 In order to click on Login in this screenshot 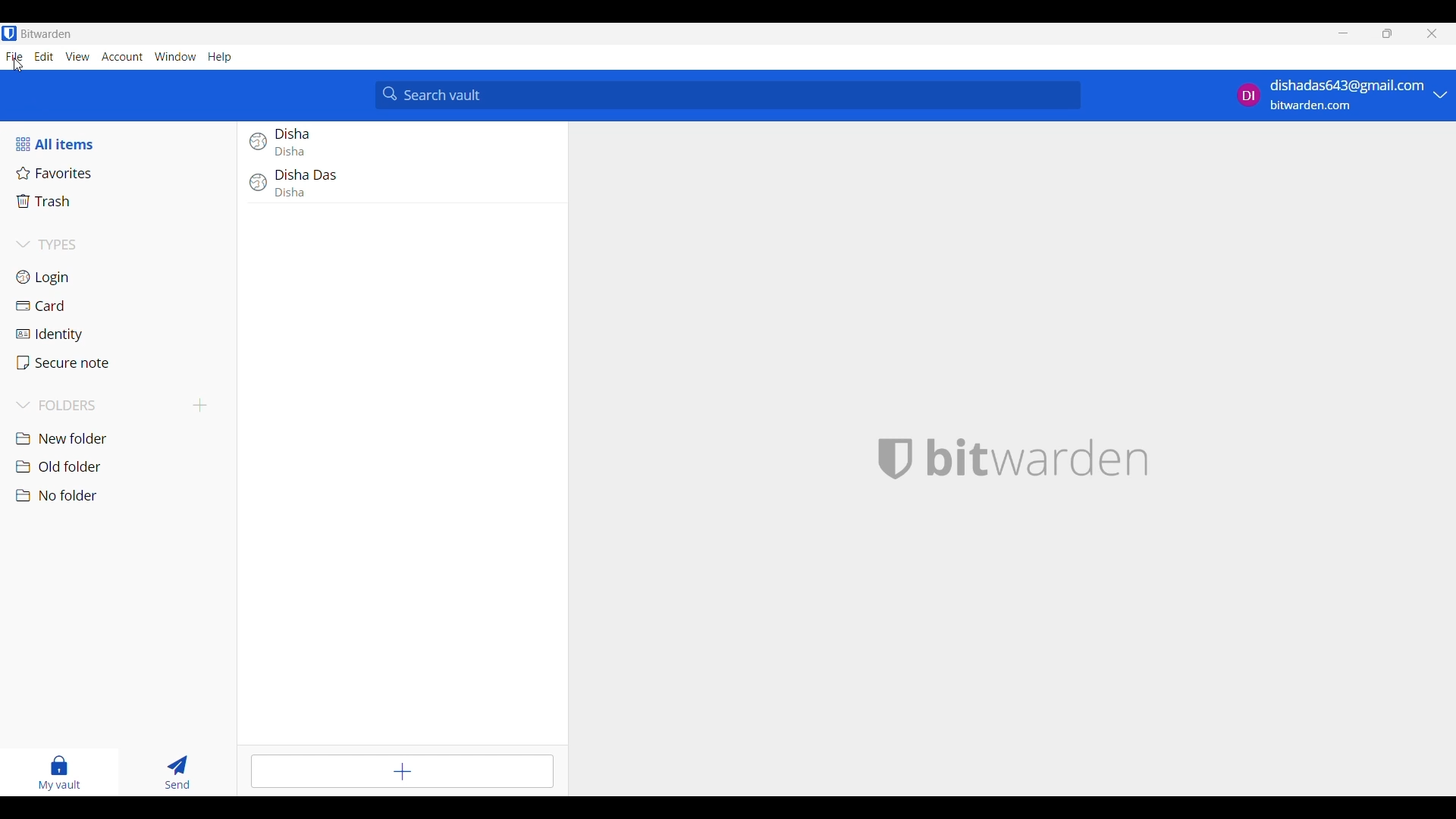, I will do `click(122, 277)`.